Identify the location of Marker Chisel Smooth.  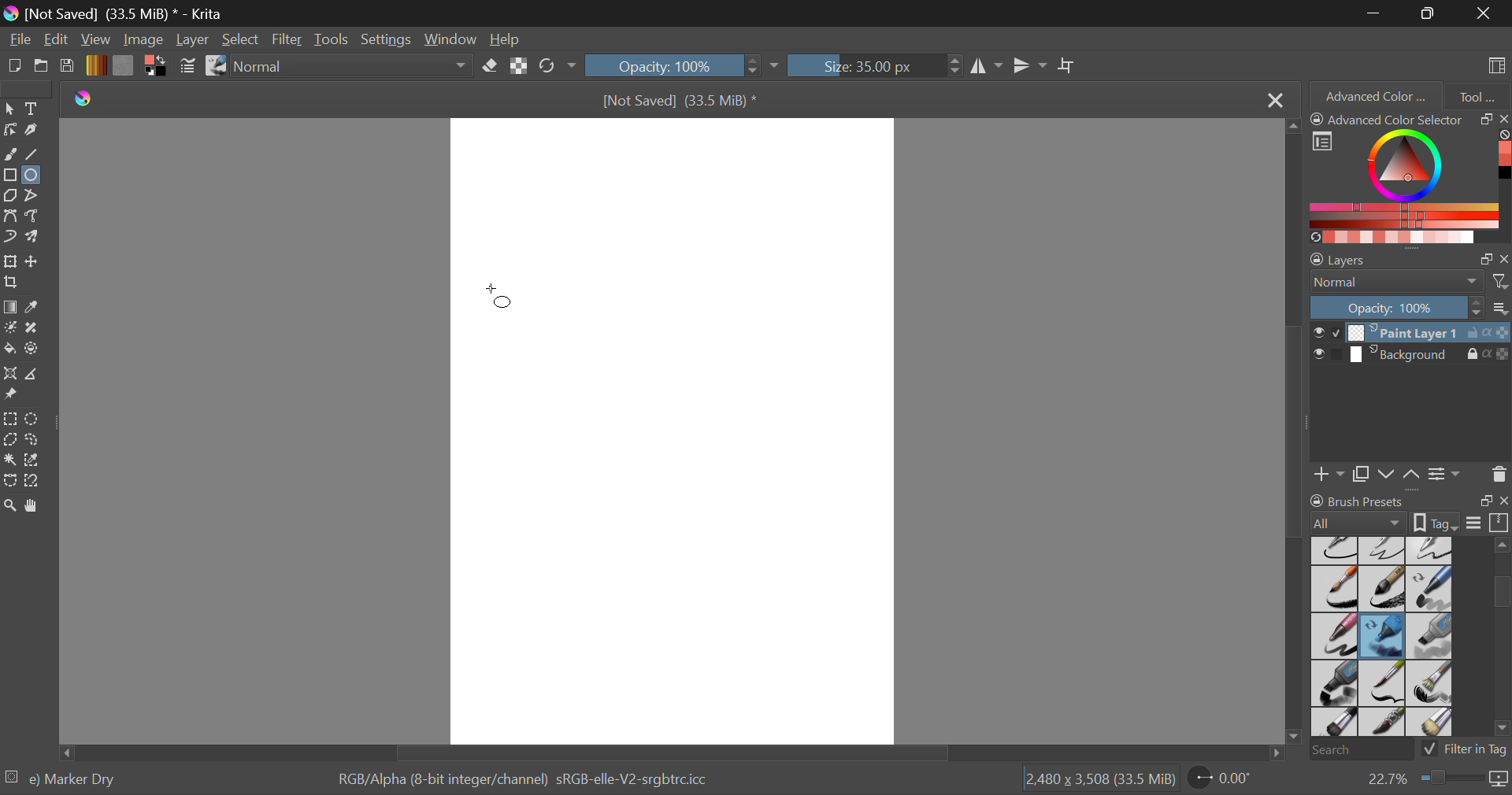
(1430, 588).